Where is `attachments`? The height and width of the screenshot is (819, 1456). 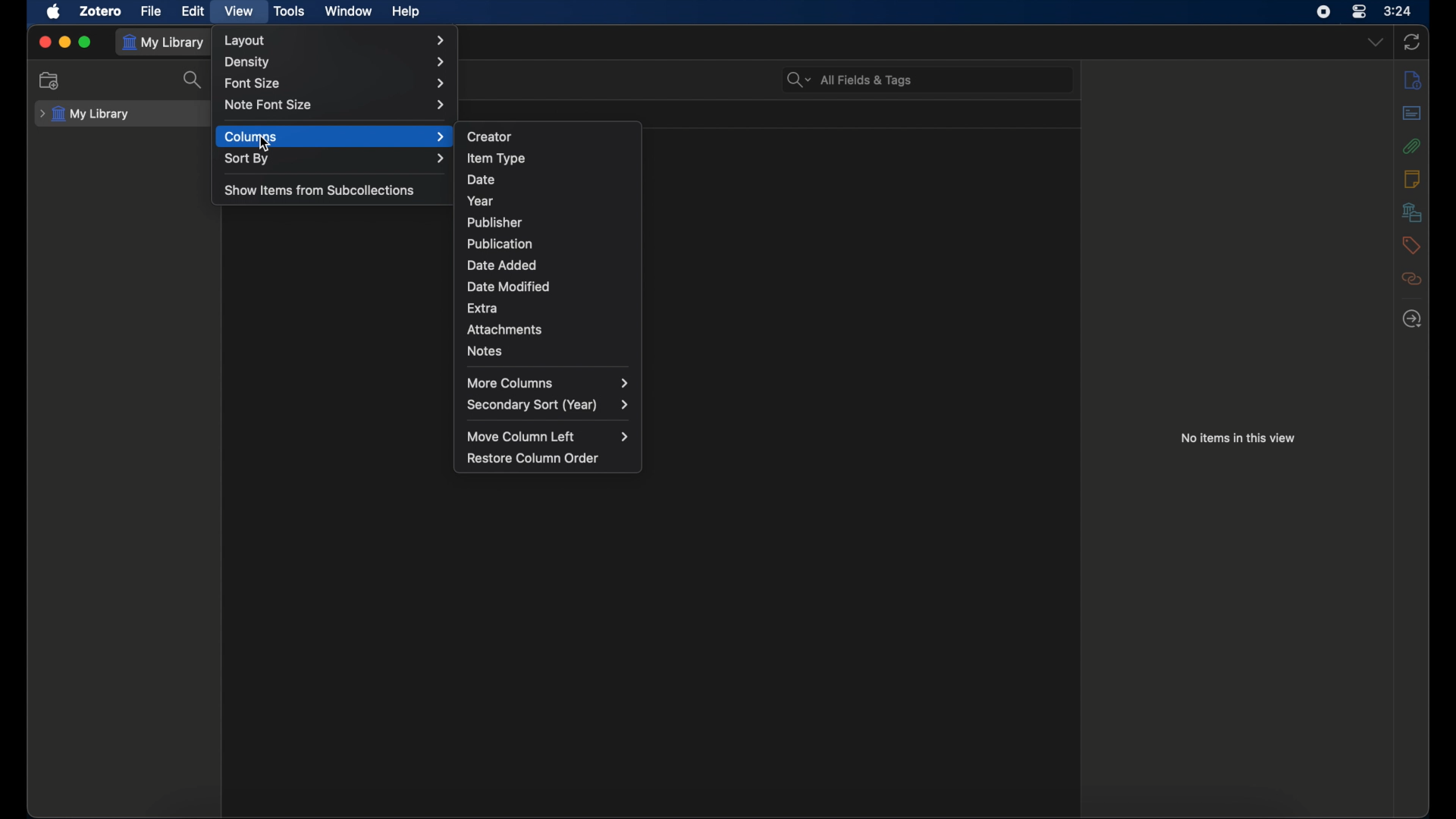
attachments is located at coordinates (1410, 146).